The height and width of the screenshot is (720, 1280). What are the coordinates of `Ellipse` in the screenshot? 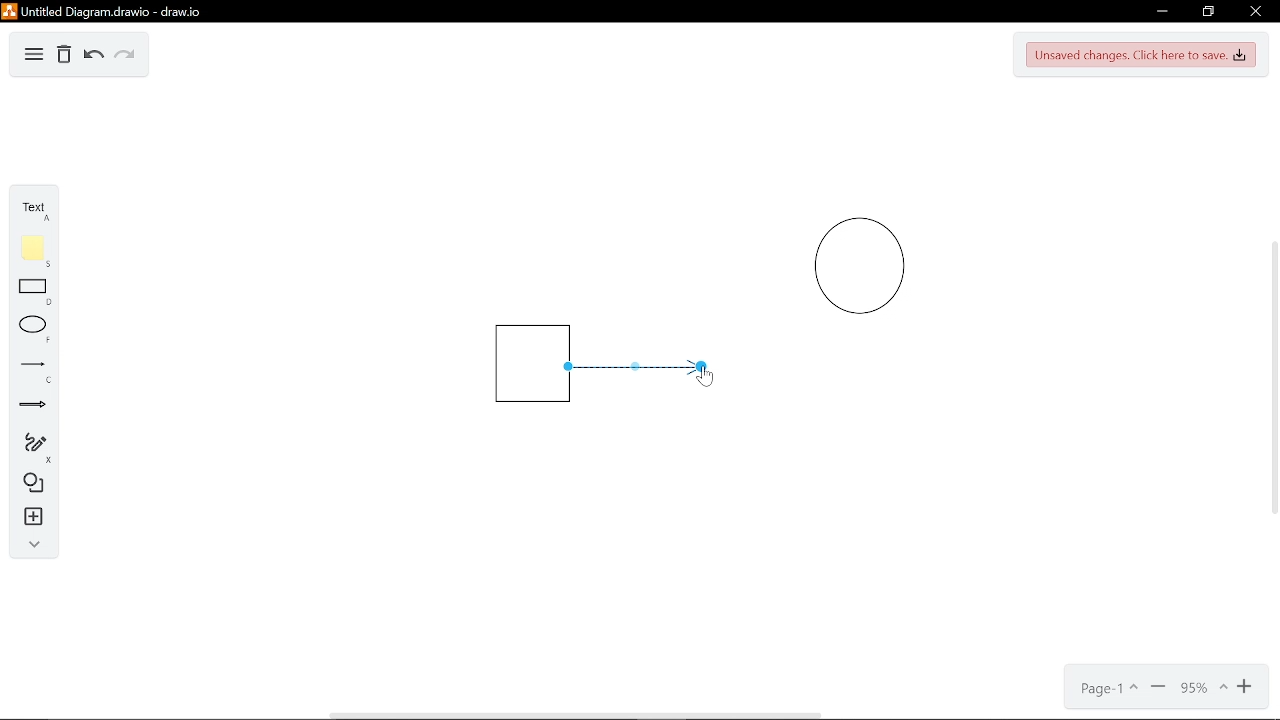 It's located at (29, 330).